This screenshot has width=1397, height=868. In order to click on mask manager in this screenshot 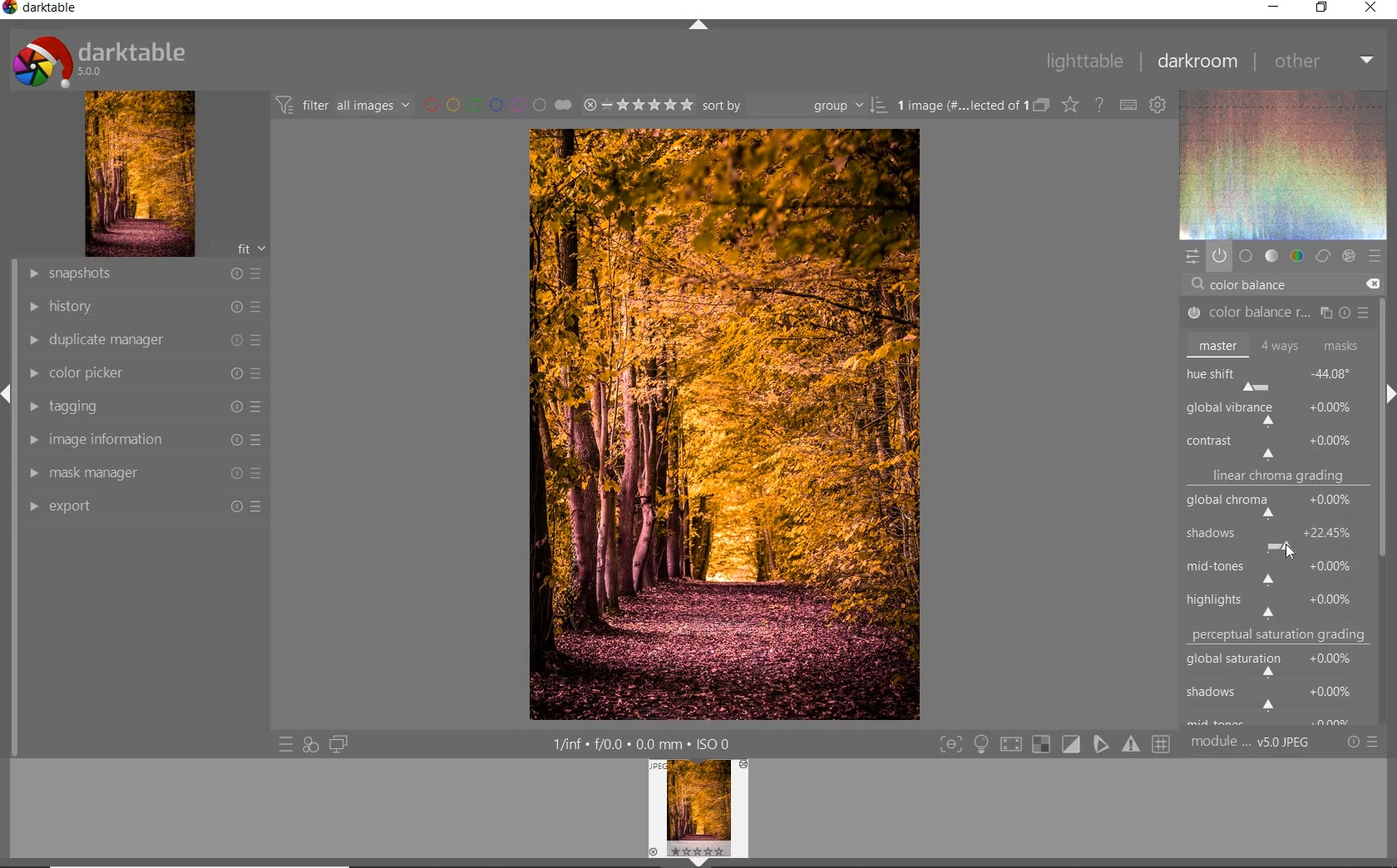, I will do `click(146, 473)`.